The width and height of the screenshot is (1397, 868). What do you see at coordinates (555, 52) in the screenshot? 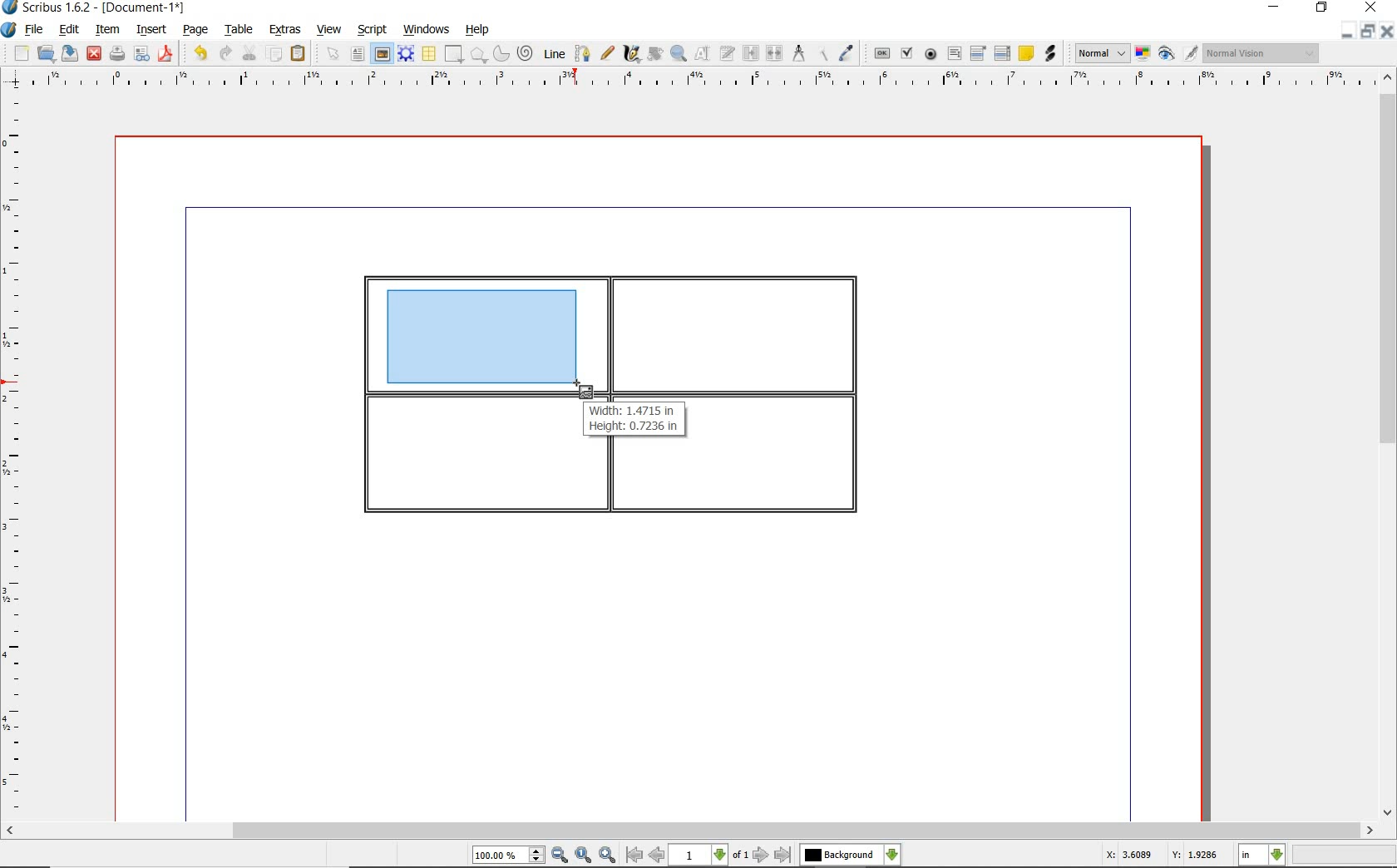
I see `line` at bounding box center [555, 52].